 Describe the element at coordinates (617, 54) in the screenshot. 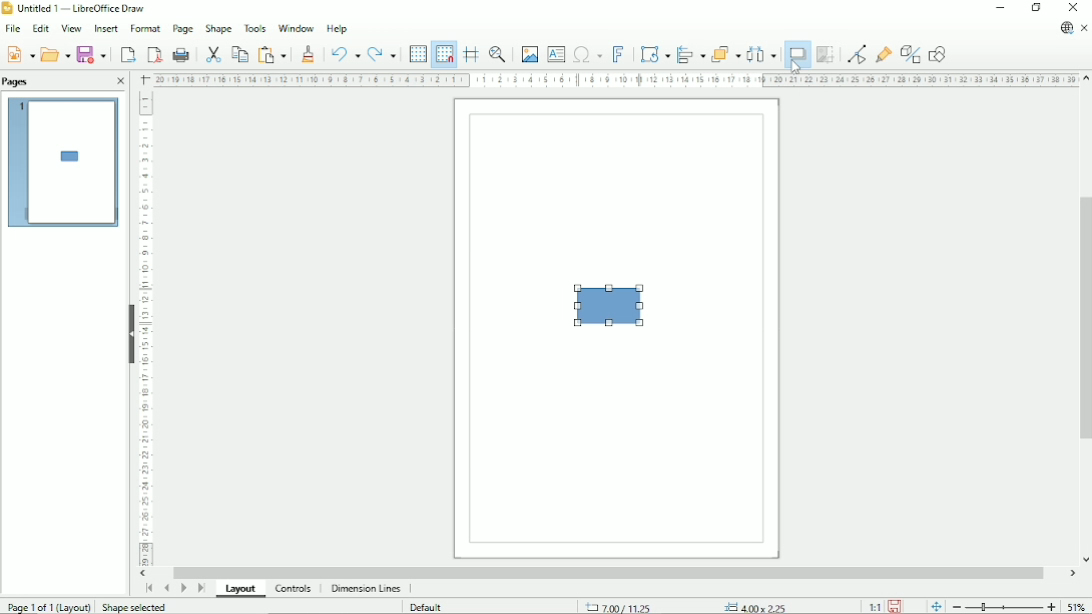

I see `Insert fontwork text` at that location.